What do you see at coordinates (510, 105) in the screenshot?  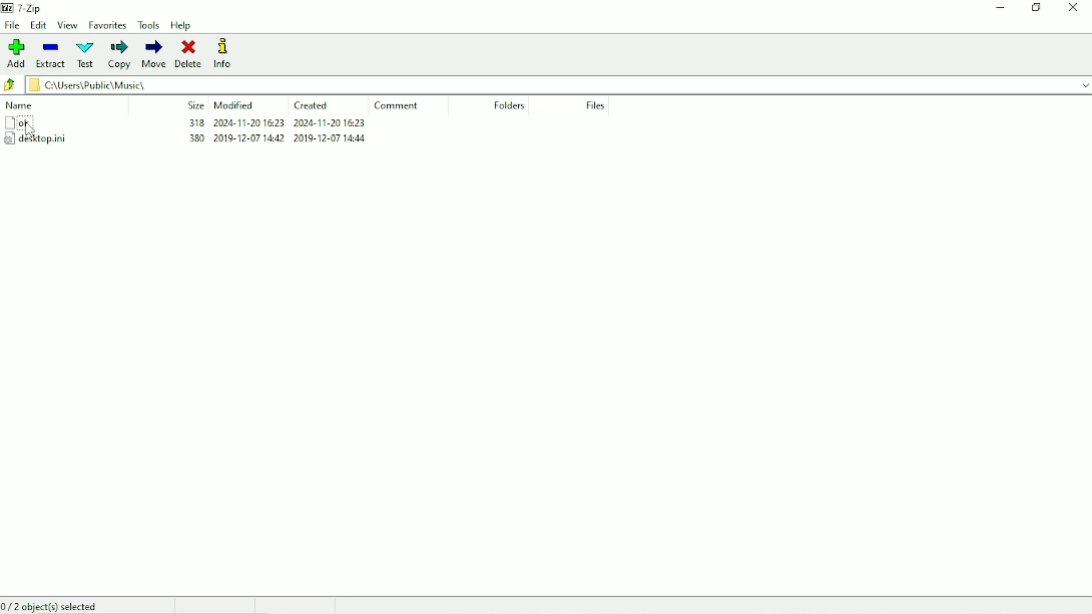 I see `Folders` at bounding box center [510, 105].